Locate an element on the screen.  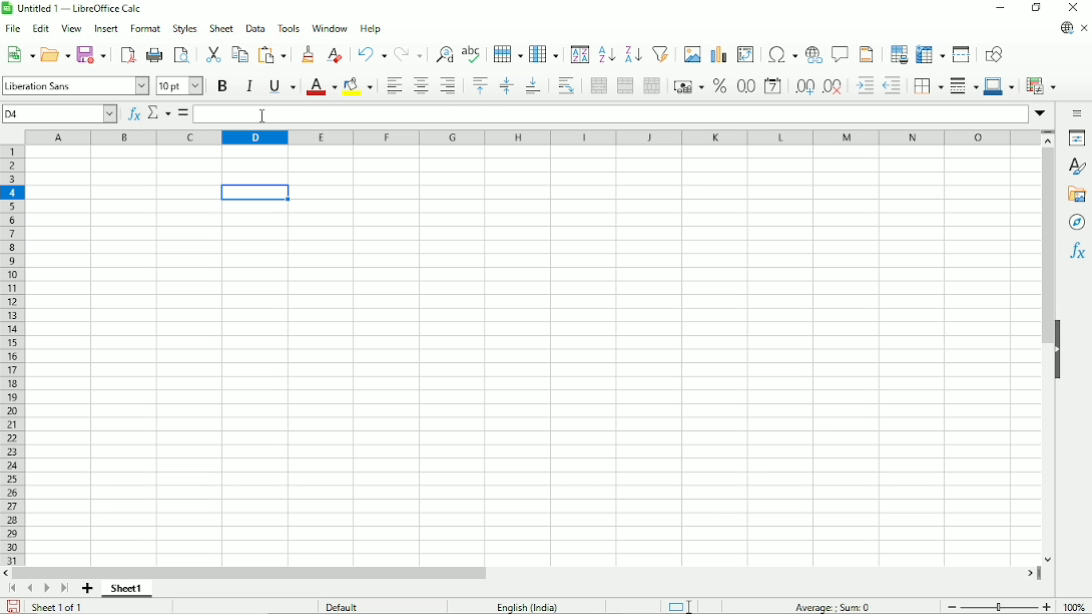
New is located at coordinates (21, 53).